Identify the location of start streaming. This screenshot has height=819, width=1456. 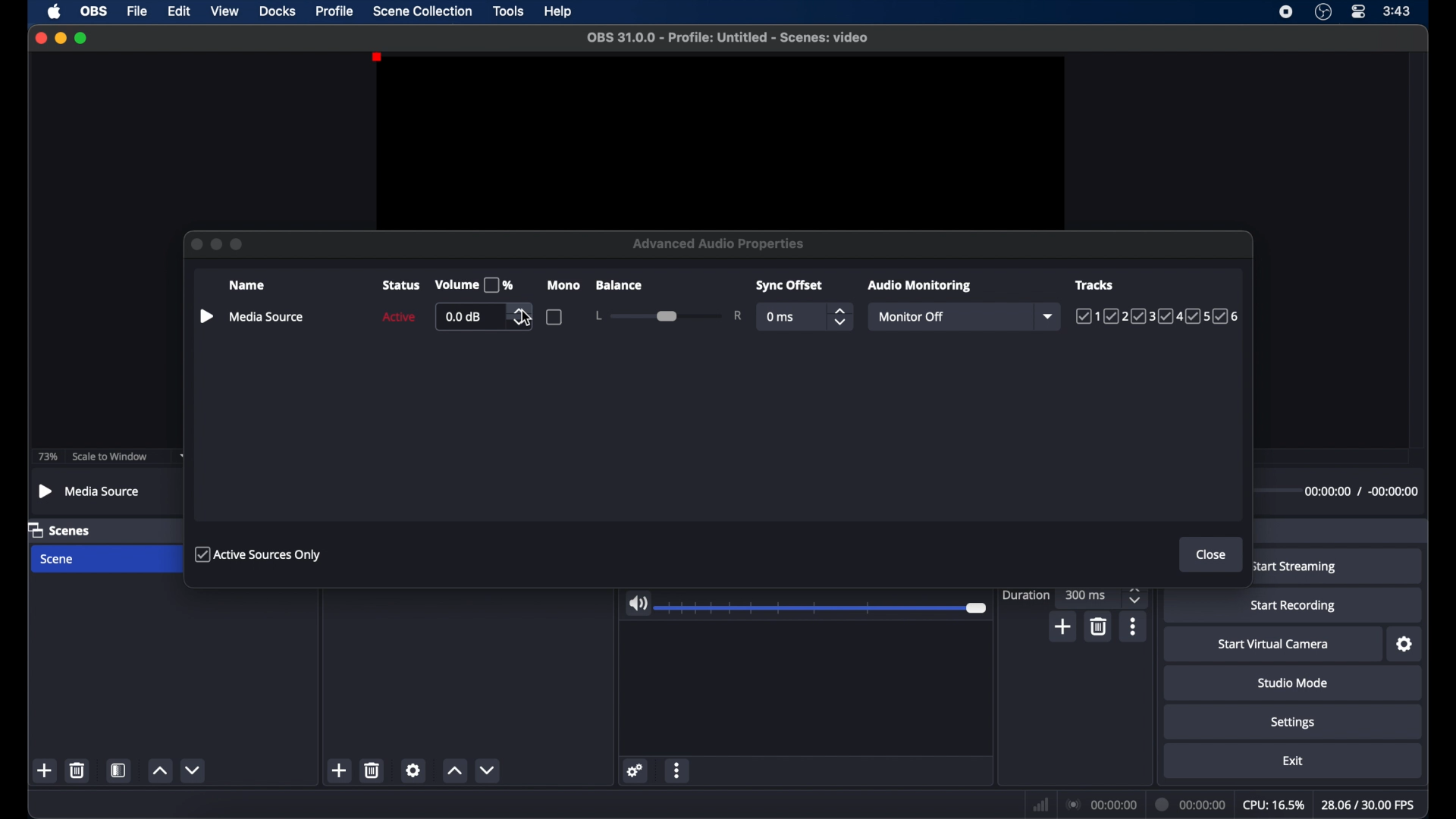
(1294, 567).